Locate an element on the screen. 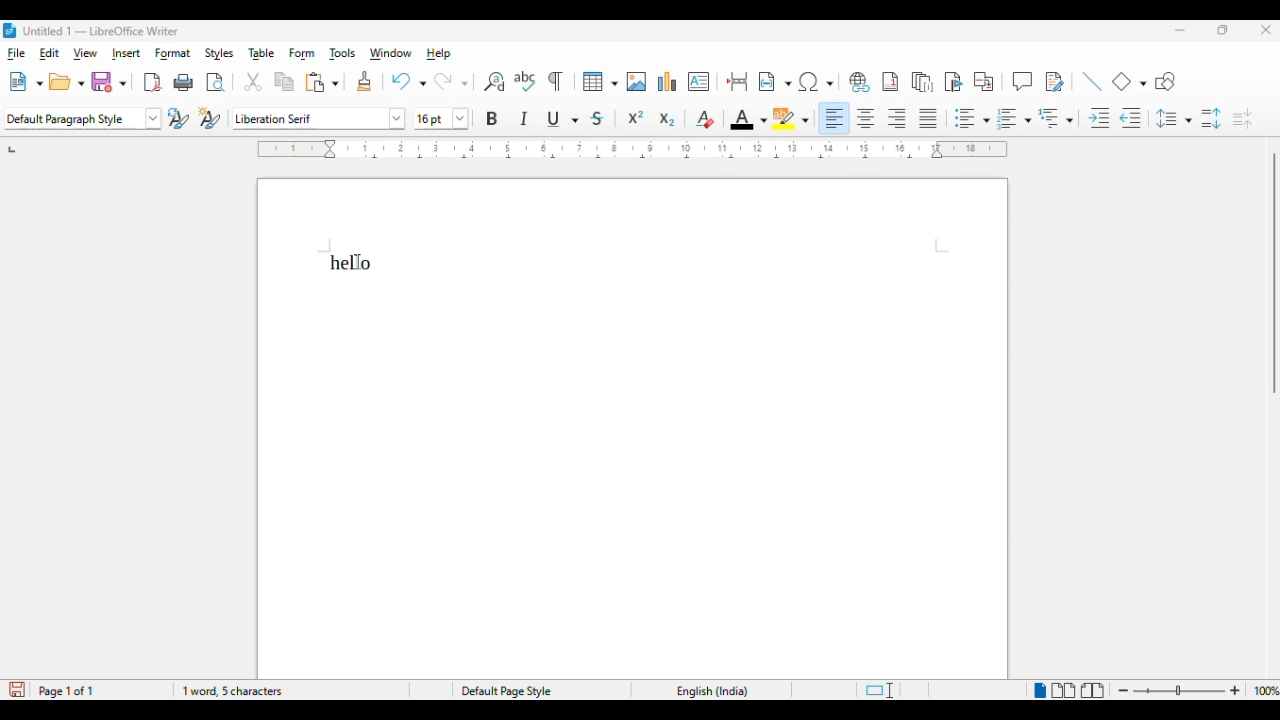 The width and height of the screenshot is (1280, 720). strikethrough is located at coordinates (598, 120).